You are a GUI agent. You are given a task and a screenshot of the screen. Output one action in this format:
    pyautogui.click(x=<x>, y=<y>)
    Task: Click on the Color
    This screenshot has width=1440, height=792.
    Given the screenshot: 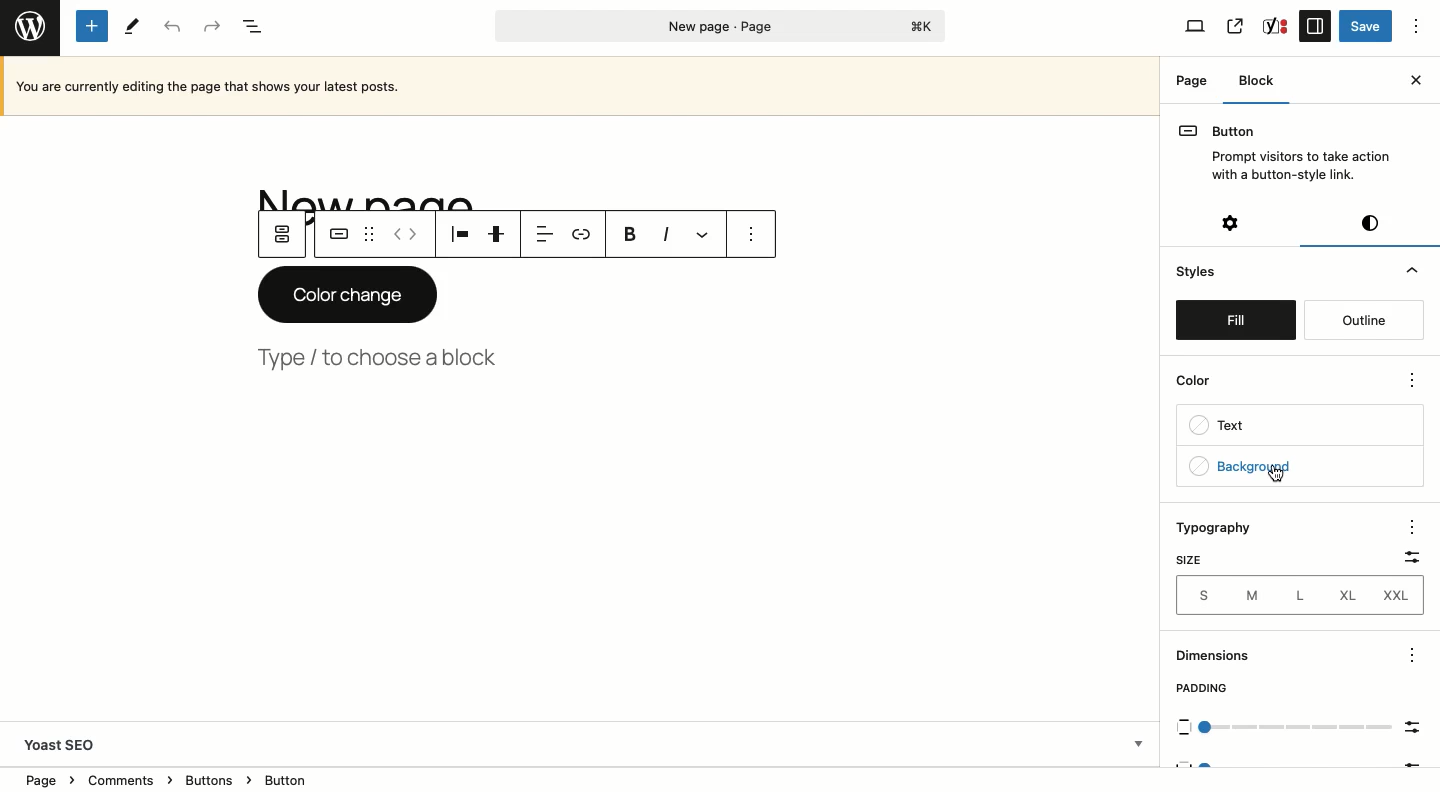 What is the action you would take?
    pyautogui.click(x=1297, y=382)
    